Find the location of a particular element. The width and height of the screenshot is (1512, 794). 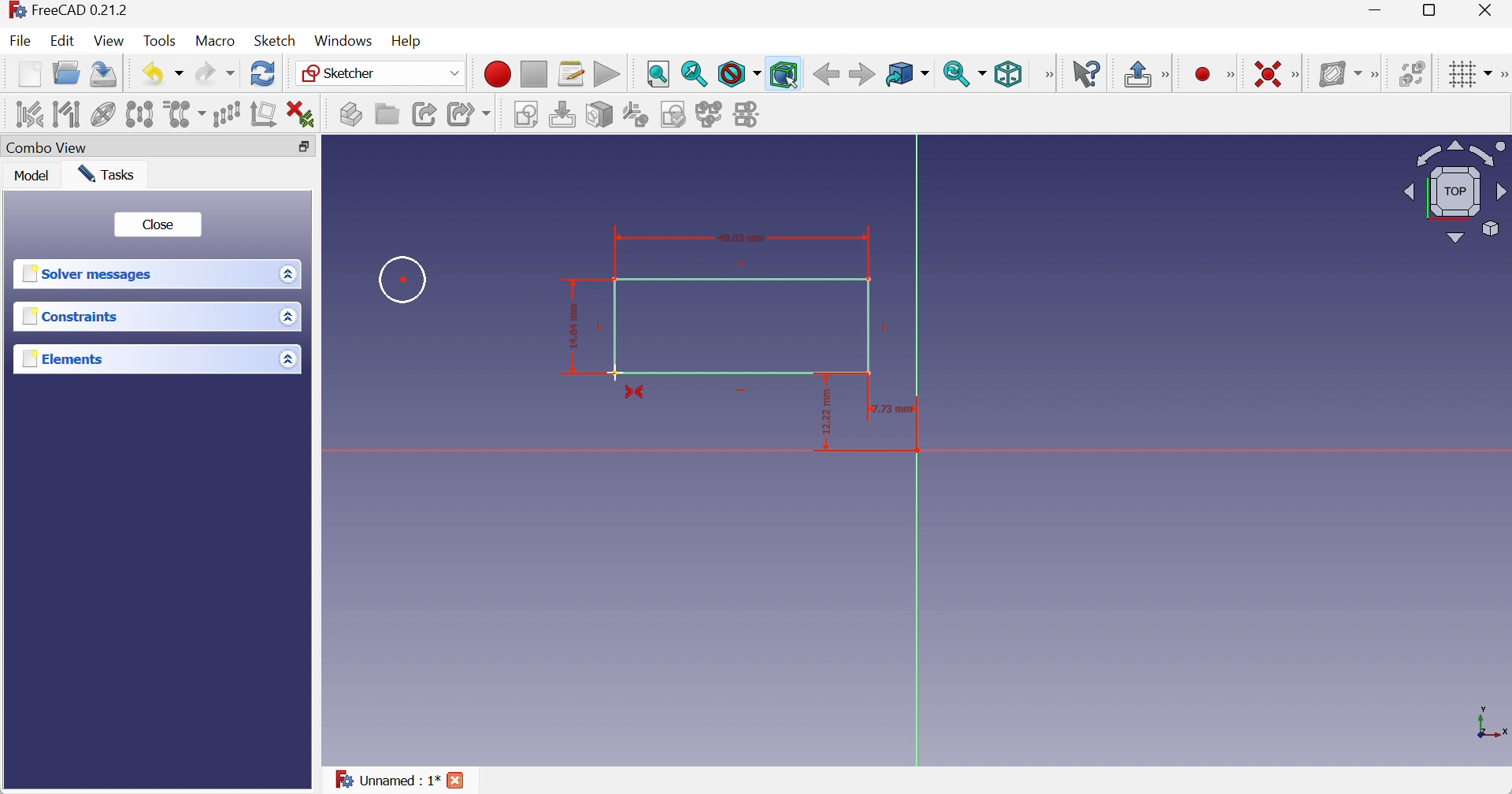

Redo is located at coordinates (215, 73).